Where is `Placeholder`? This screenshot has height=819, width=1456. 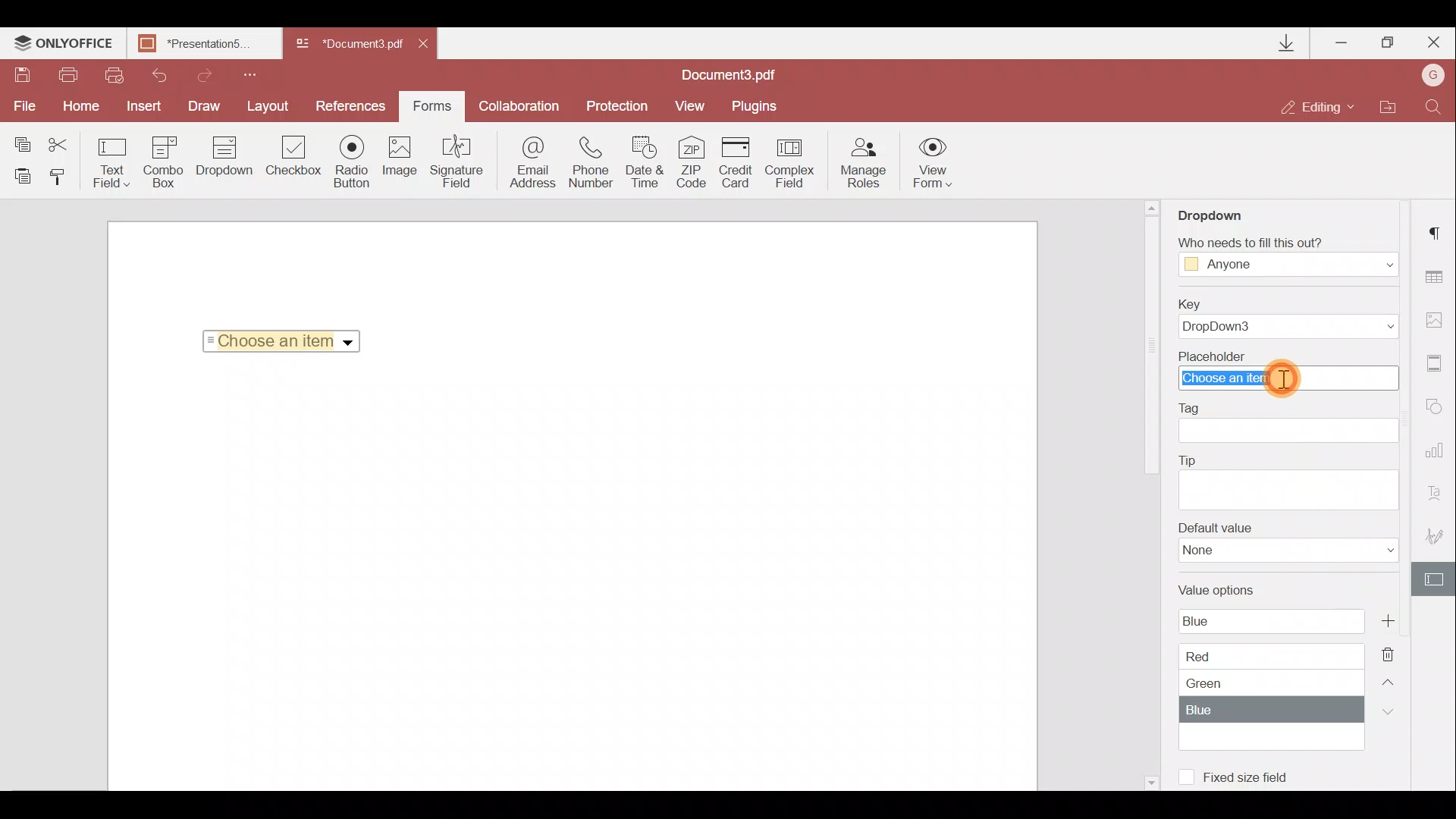
Placeholder is located at coordinates (1285, 370).